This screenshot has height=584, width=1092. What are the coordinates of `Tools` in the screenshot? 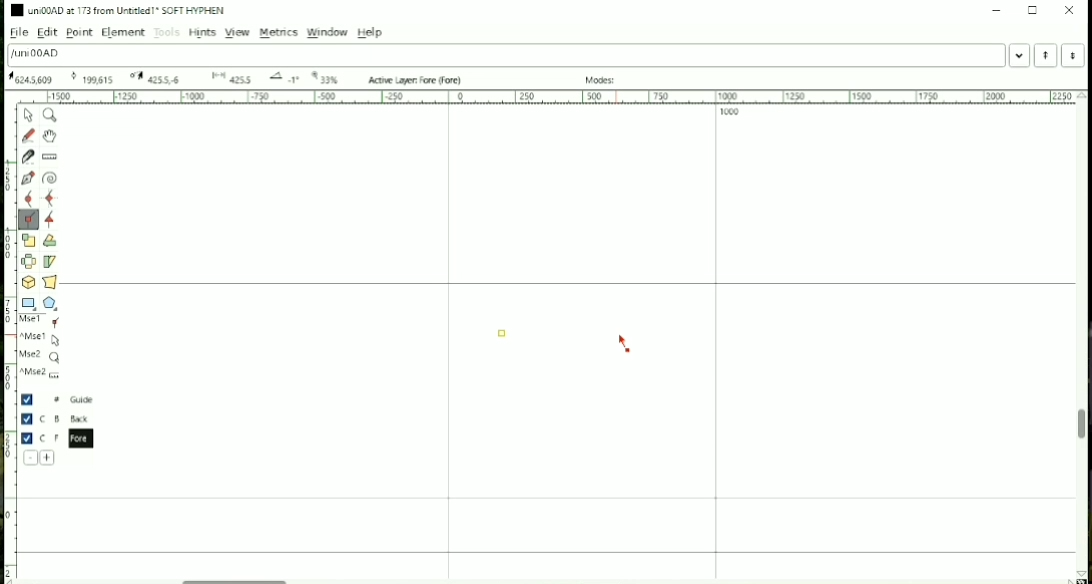 It's located at (167, 33).